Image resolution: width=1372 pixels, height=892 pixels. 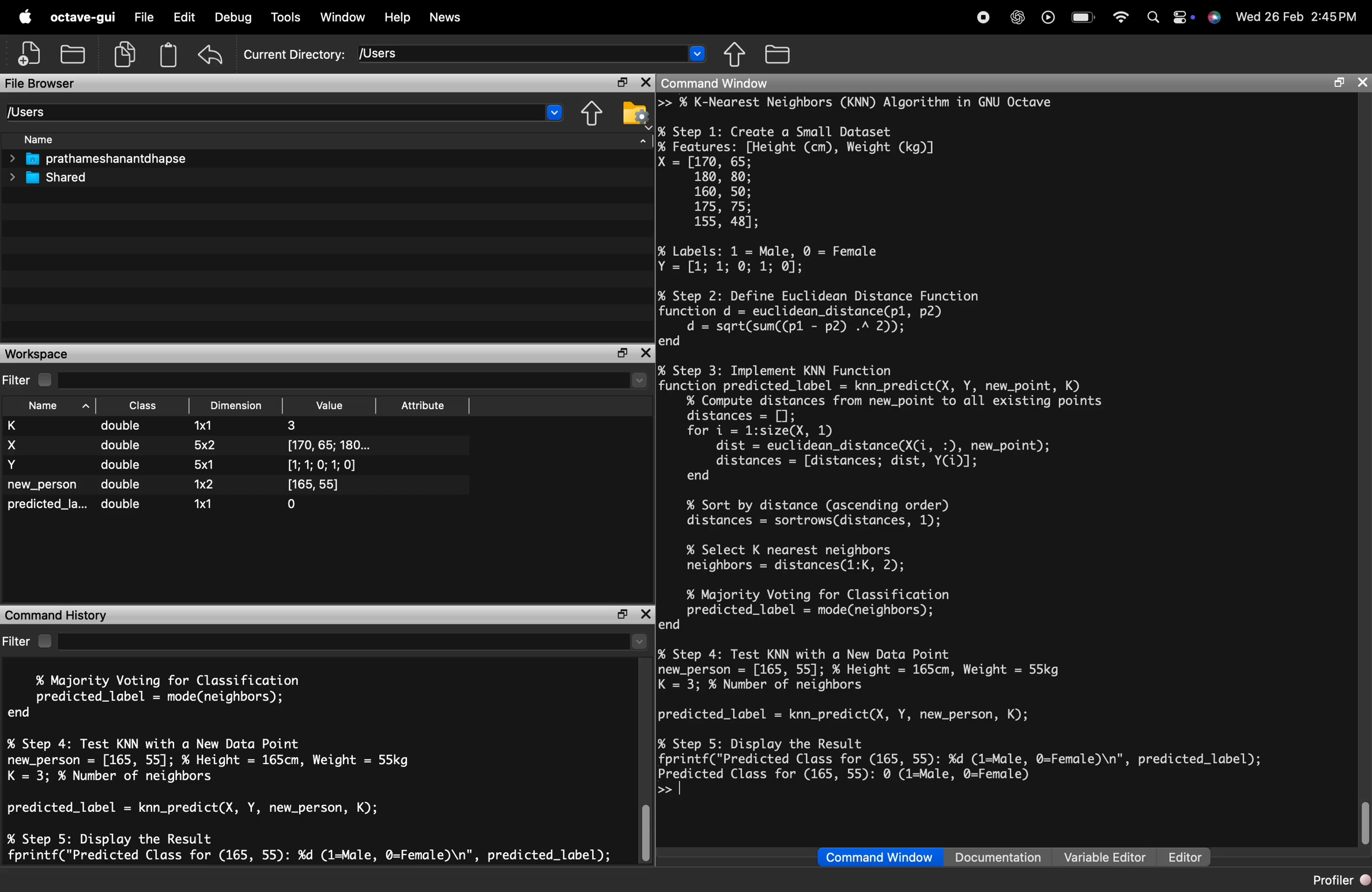 What do you see at coordinates (552, 114) in the screenshot?
I see `dropdown` at bounding box center [552, 114].